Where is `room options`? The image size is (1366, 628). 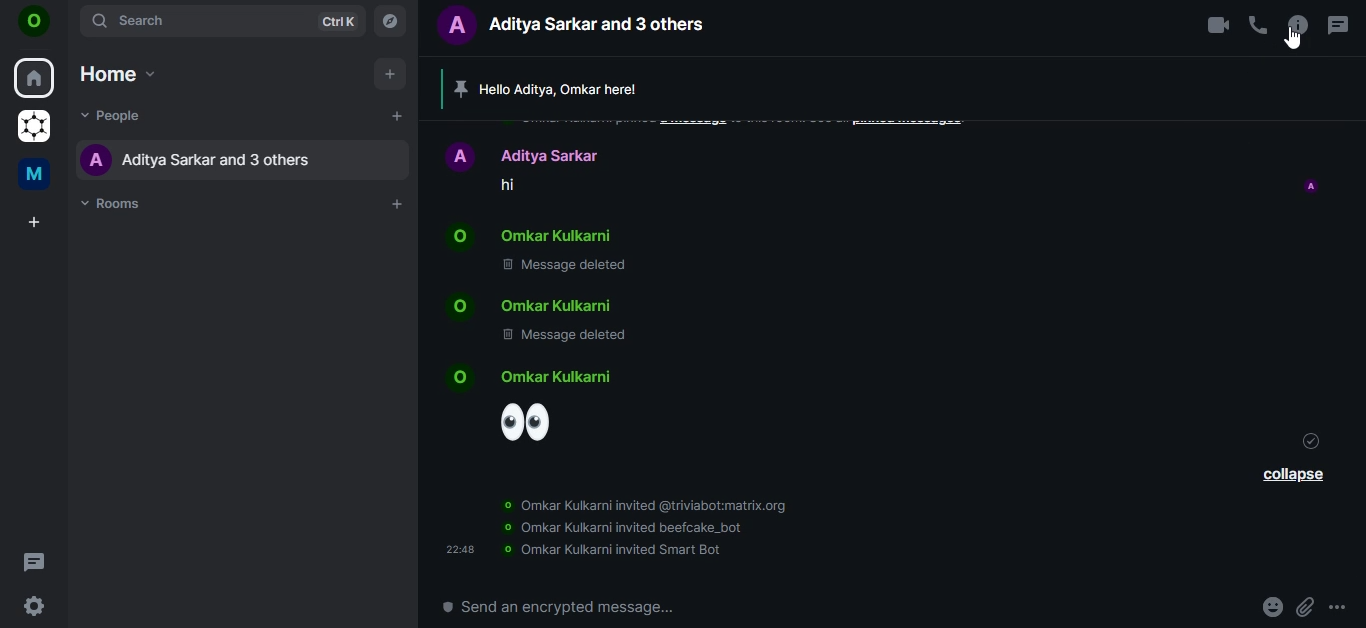
room options is located at coordinates (1296, 27).